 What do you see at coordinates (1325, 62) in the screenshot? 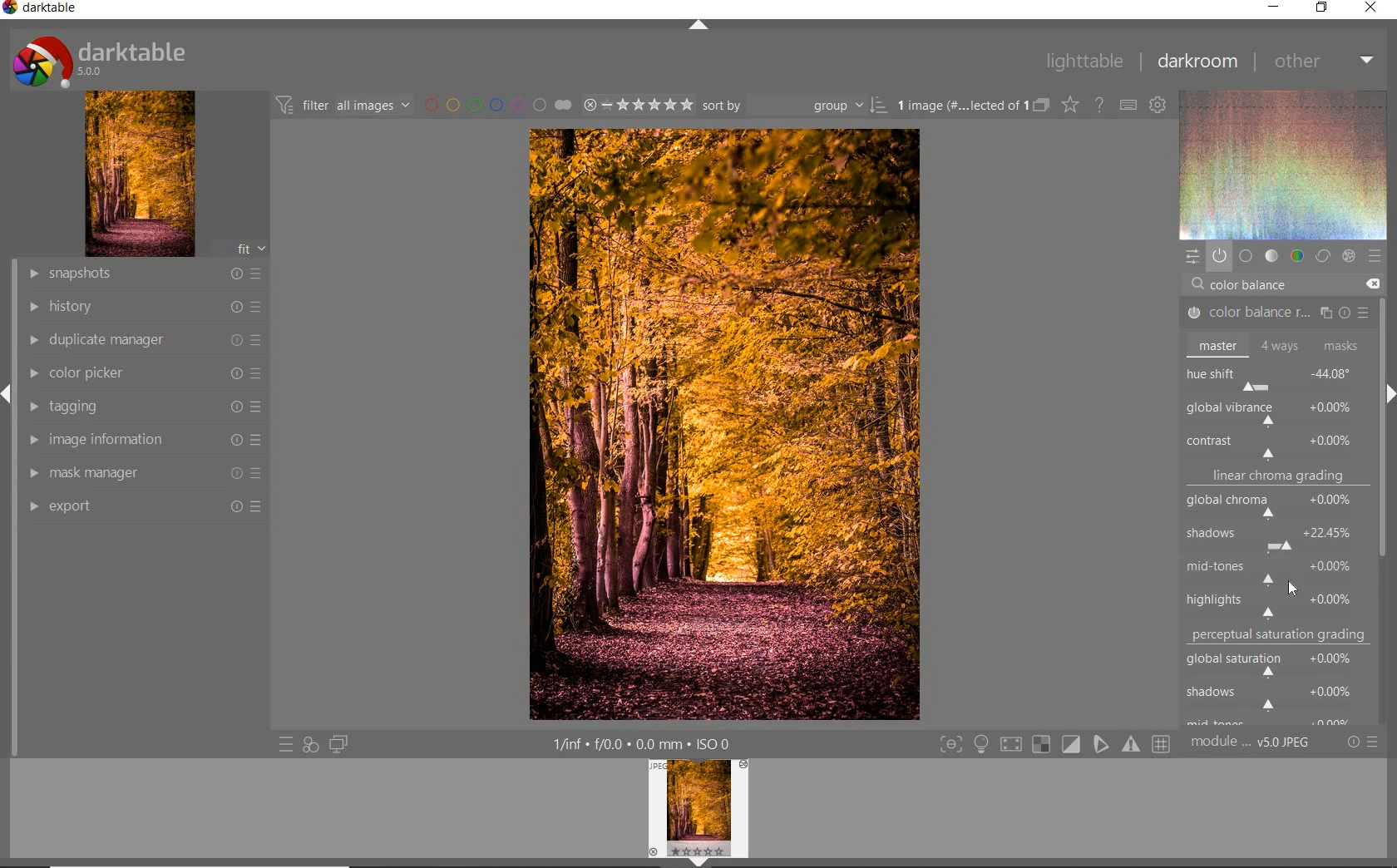
I see `other` at bounding box center [1325, 62].